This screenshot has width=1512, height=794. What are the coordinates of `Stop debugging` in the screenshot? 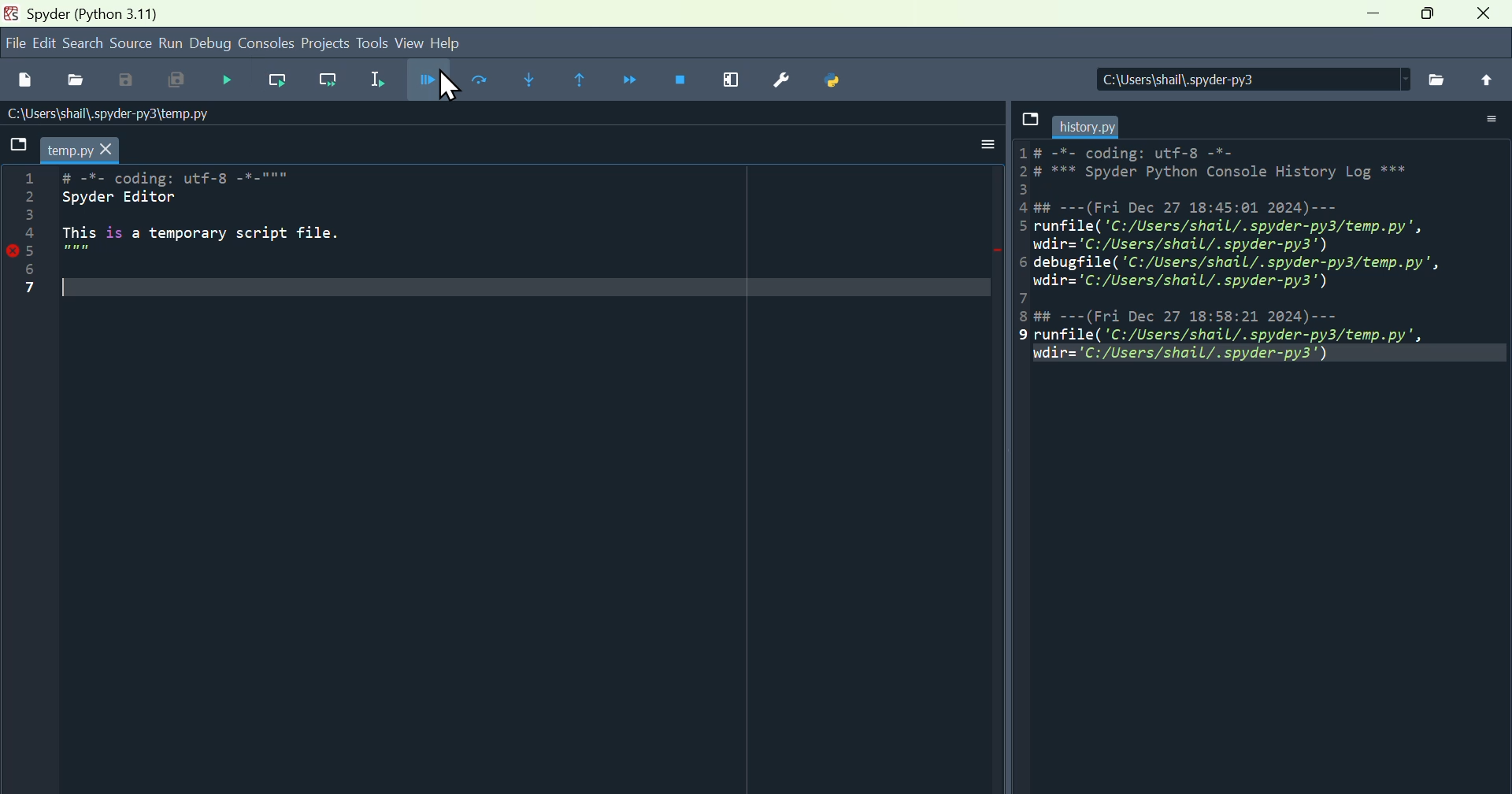 It's located at (689, 80).